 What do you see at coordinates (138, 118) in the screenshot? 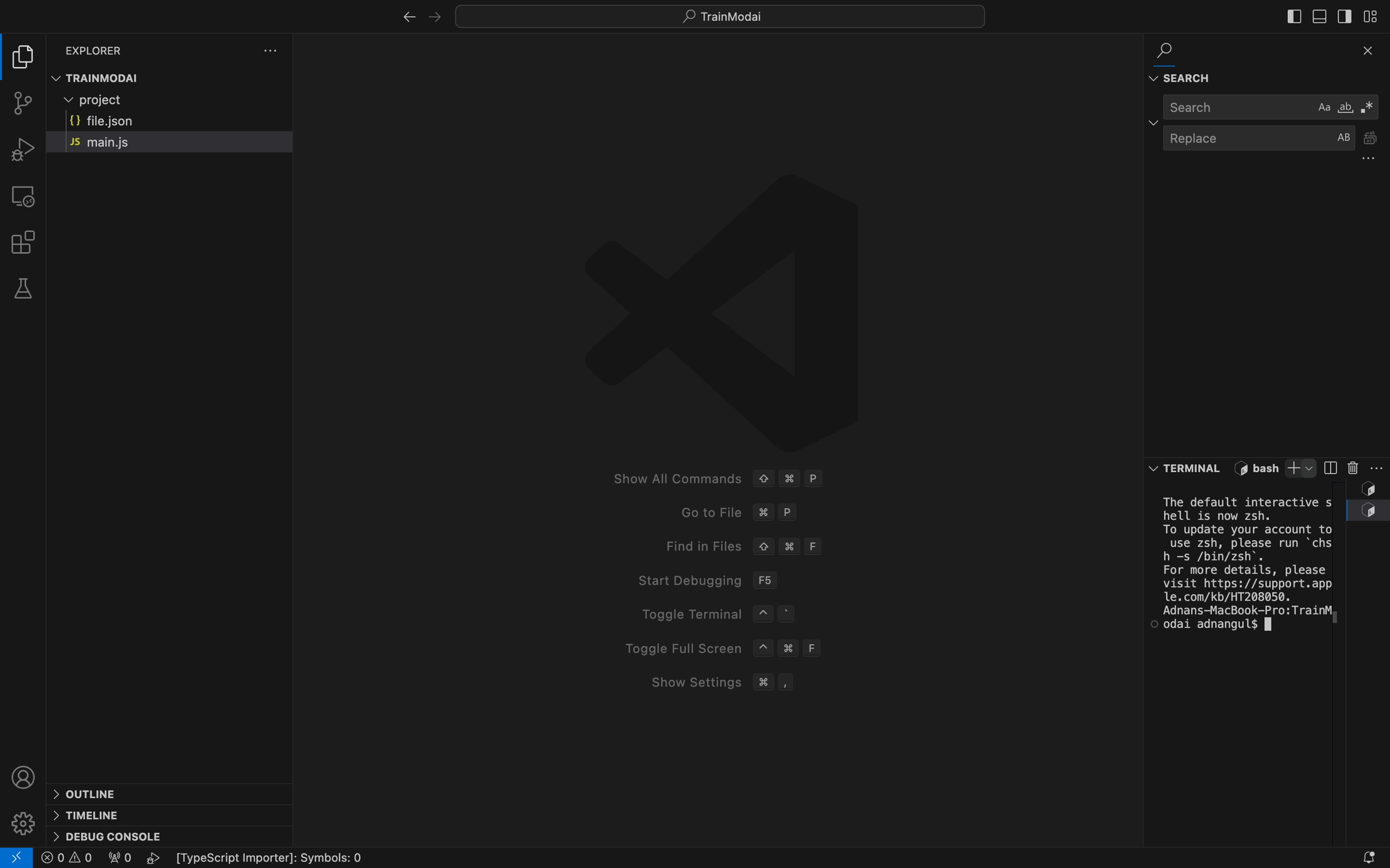
I see `file json` at bounding box center [138, 118].